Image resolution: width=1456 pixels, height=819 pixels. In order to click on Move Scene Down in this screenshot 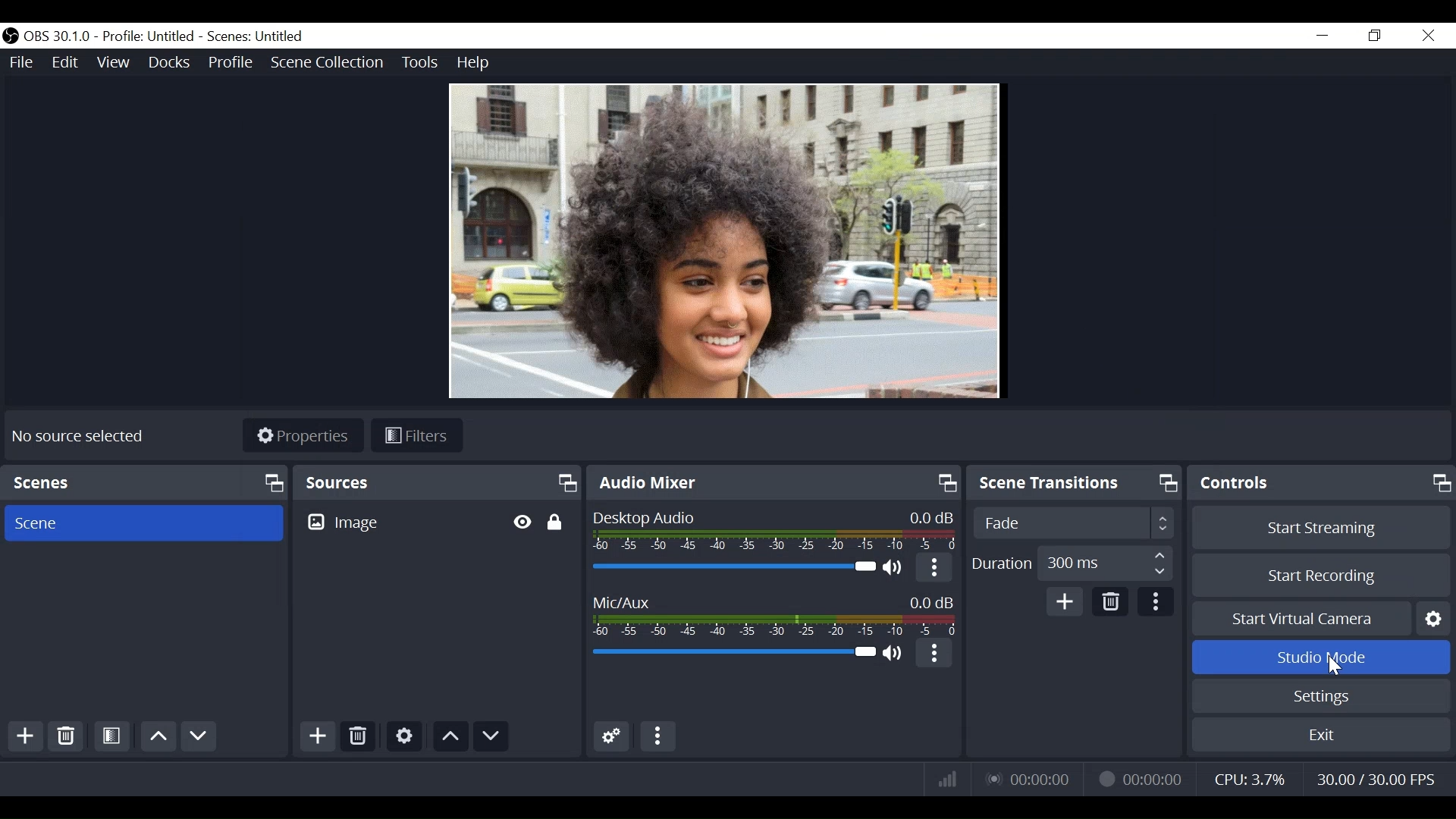, I will do `click(202, 739)`.